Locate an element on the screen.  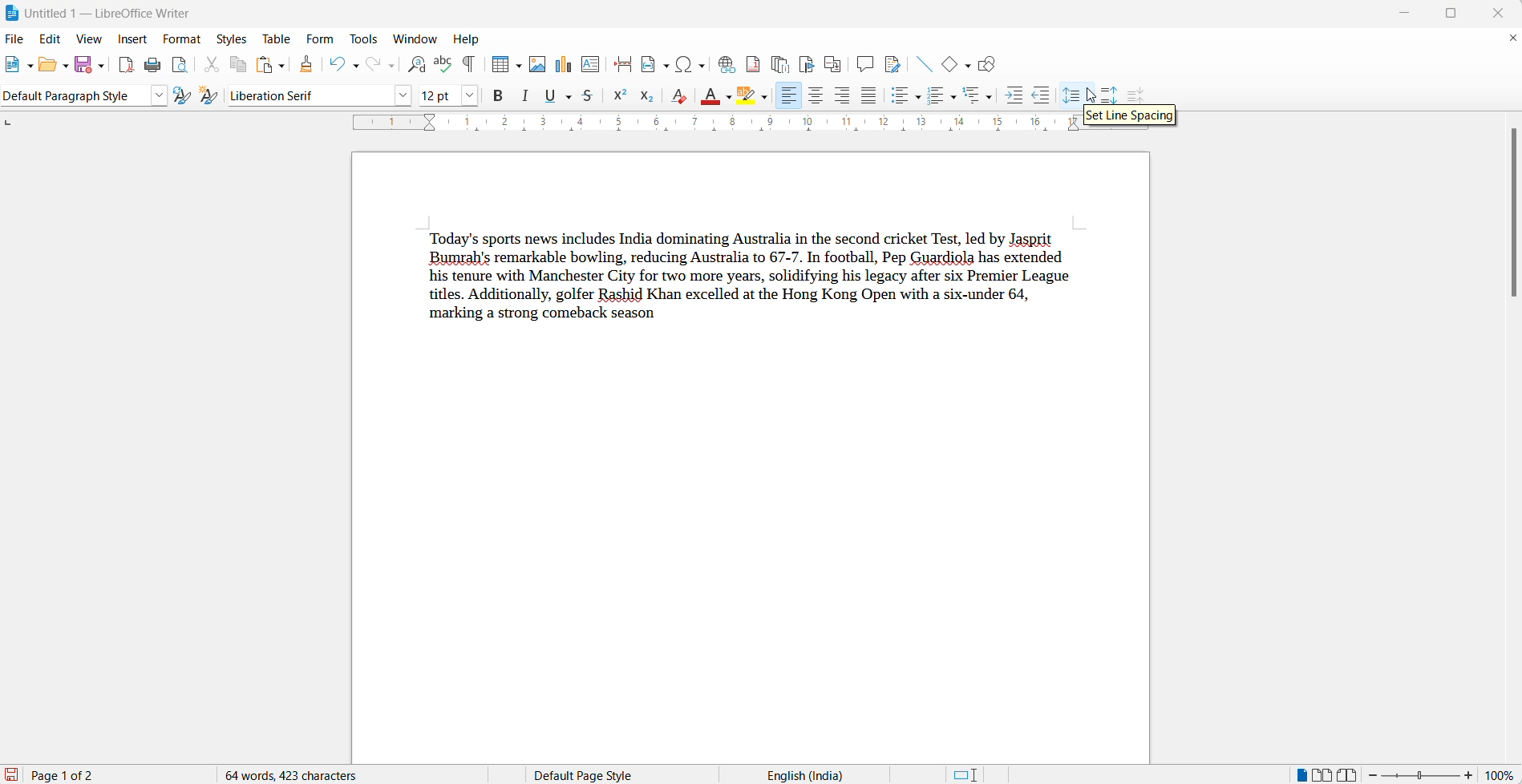
spellings is located at coordinates (443, 65).